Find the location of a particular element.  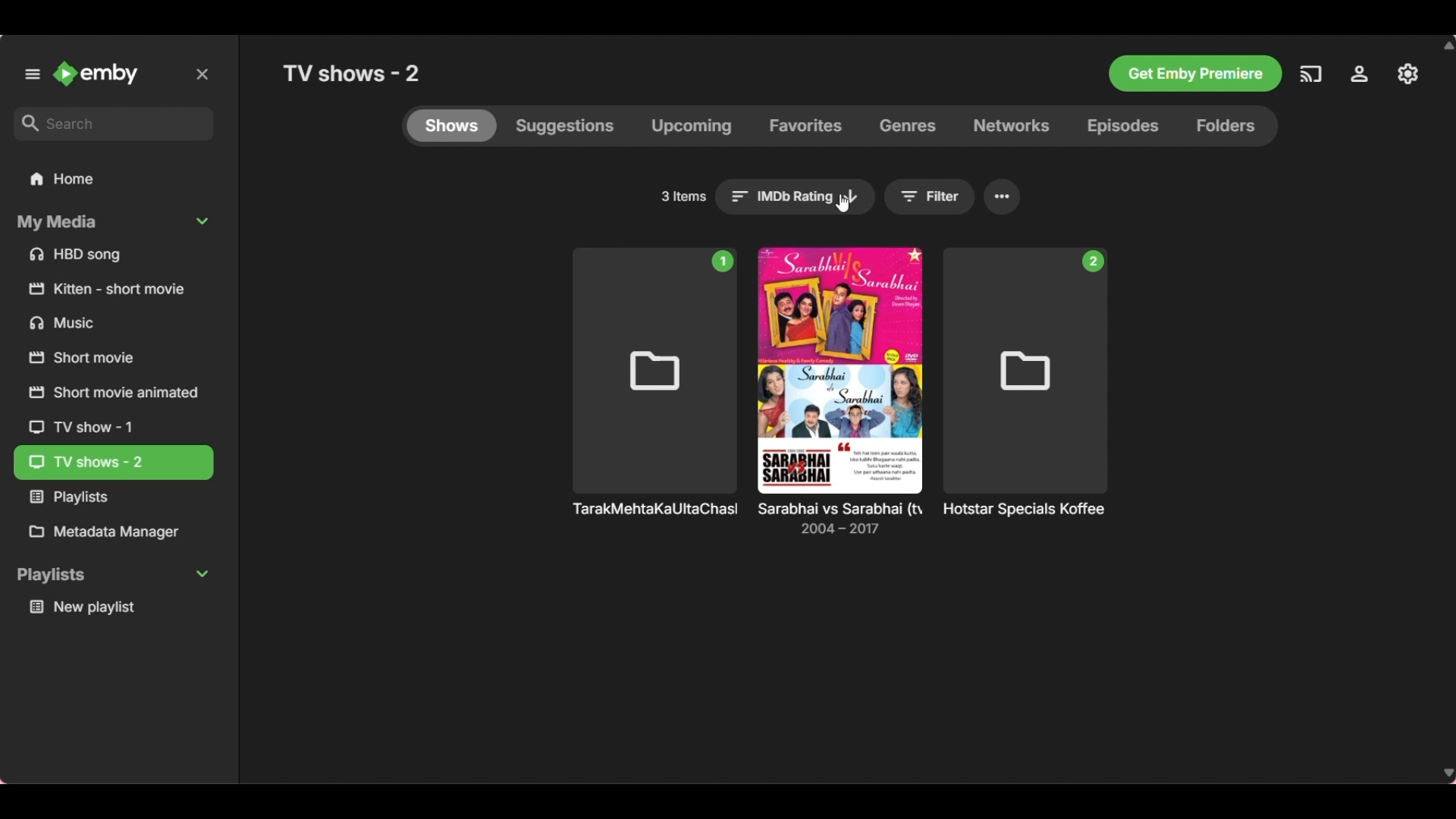

 is located at coordinates (108, 396).